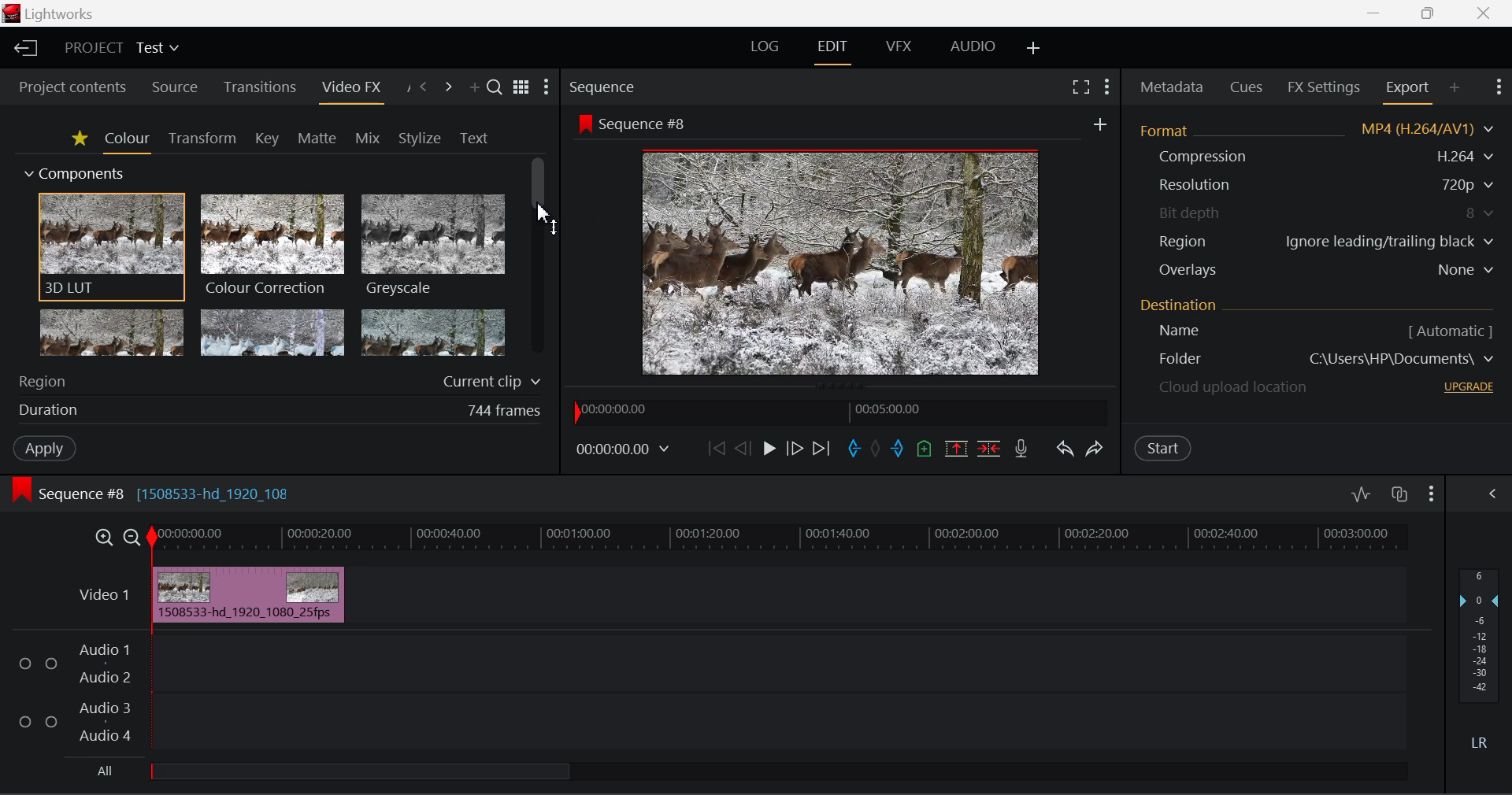 This screenshot has width=1512, height=795. I want to click on 00:00:00.00, so click(625, 449).